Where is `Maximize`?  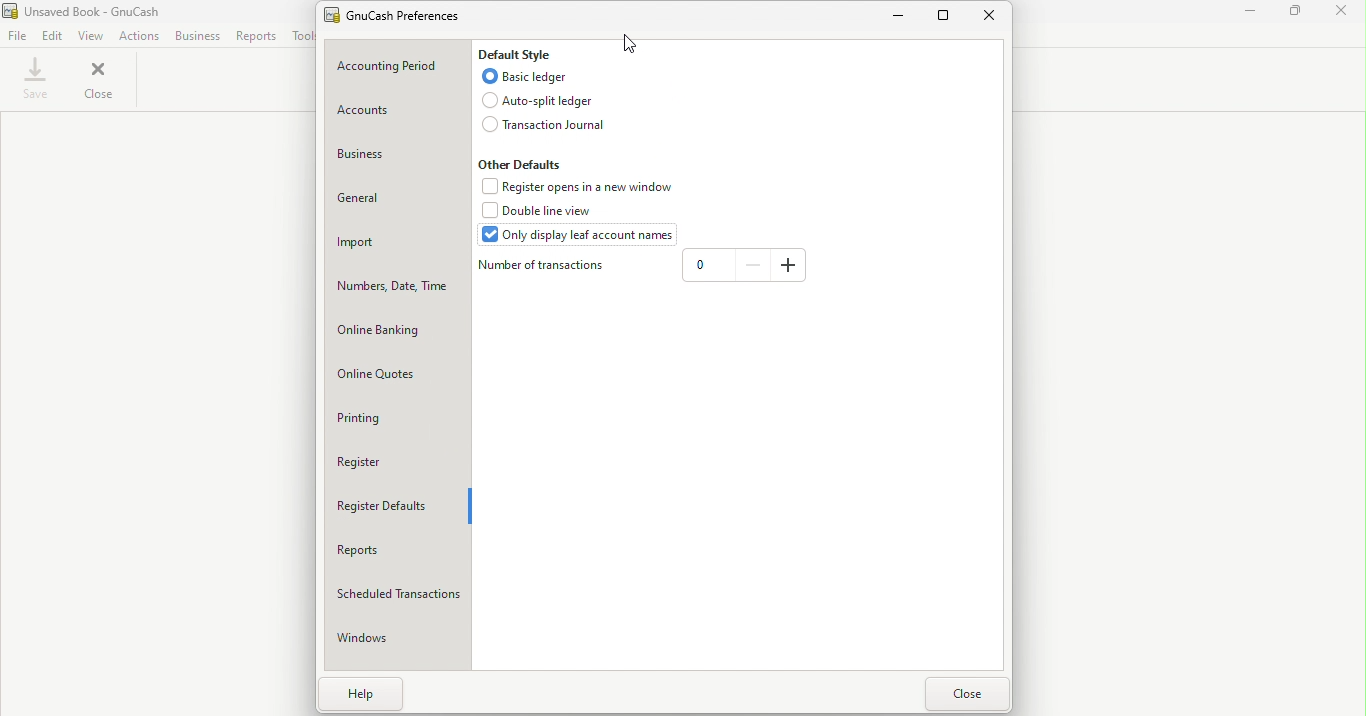
Maximize is located at coordinates (1301, 13).